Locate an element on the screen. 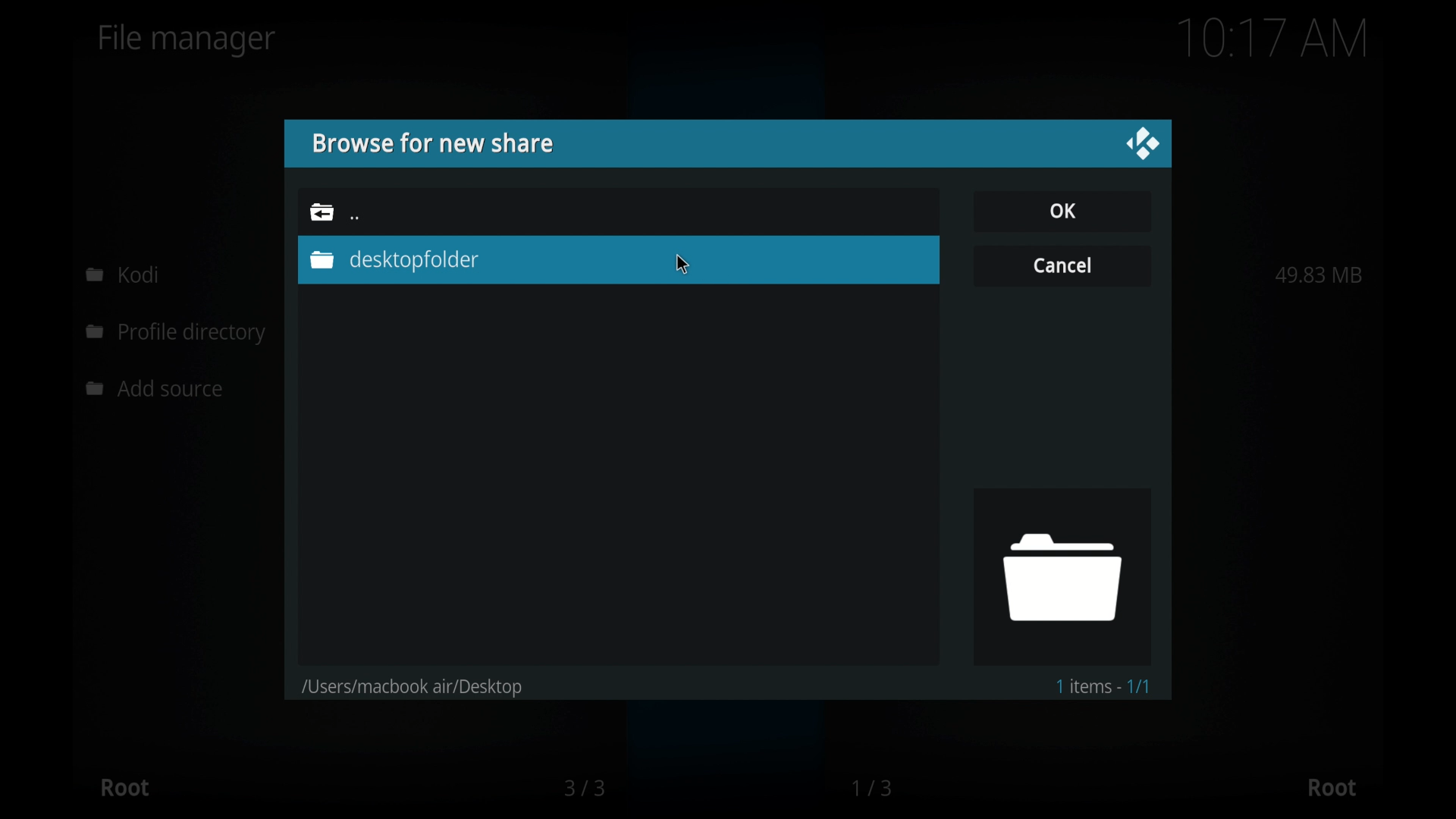 The image size is (1456, 819). cancel is located at coordinates (1062, 264).